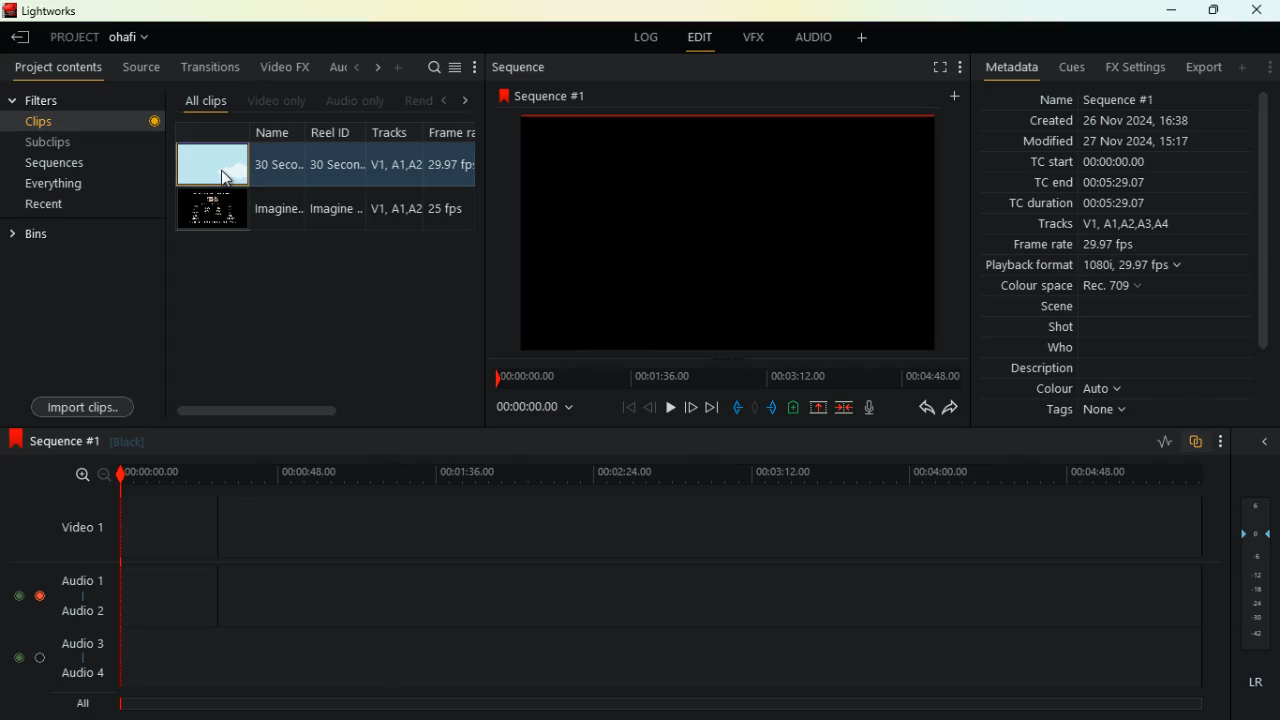  Describe the element at coordinates (705, 40) in the screenshot. I see `edit` at that location.